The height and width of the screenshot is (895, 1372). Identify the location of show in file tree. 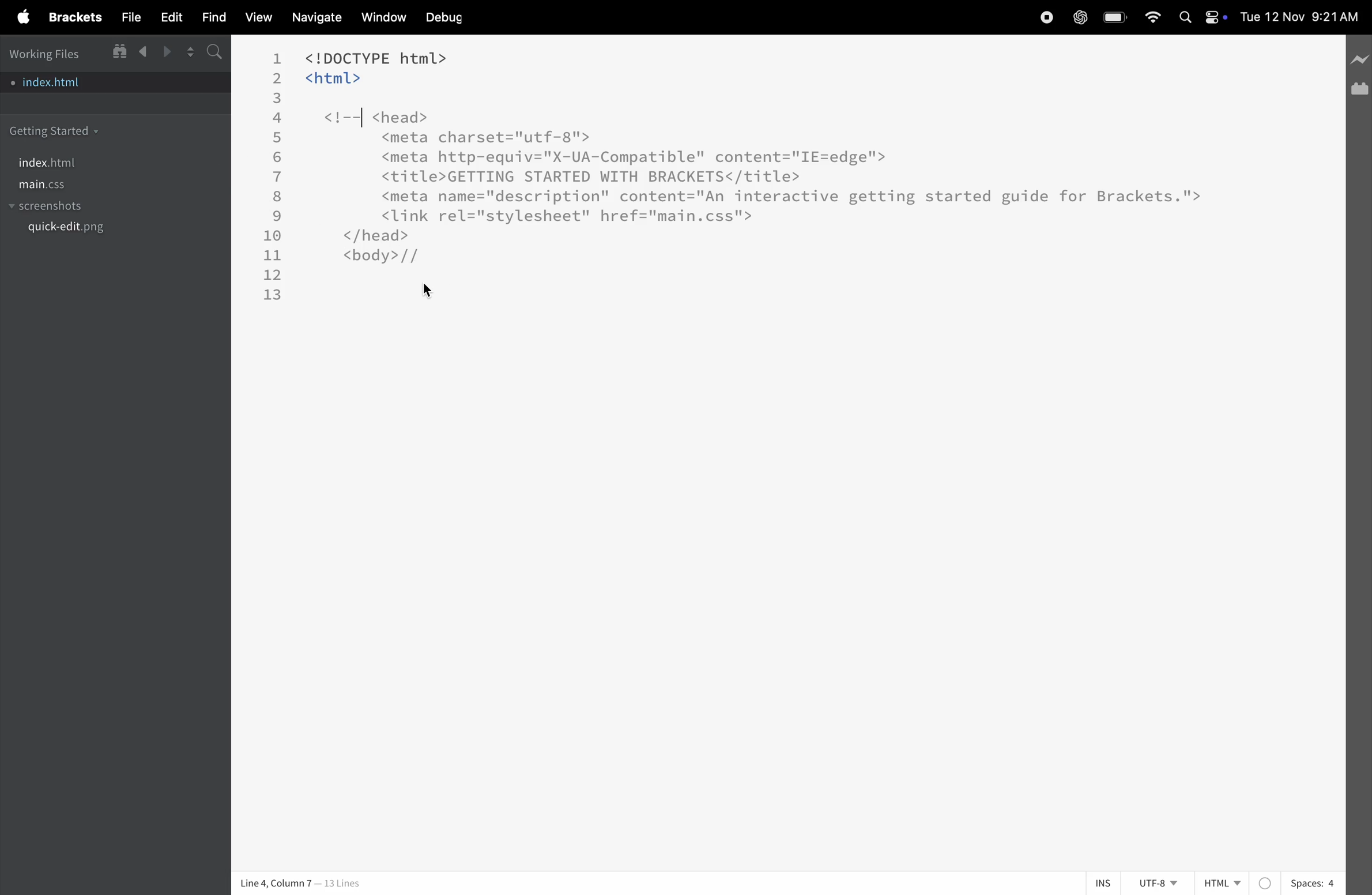
(120, 50).